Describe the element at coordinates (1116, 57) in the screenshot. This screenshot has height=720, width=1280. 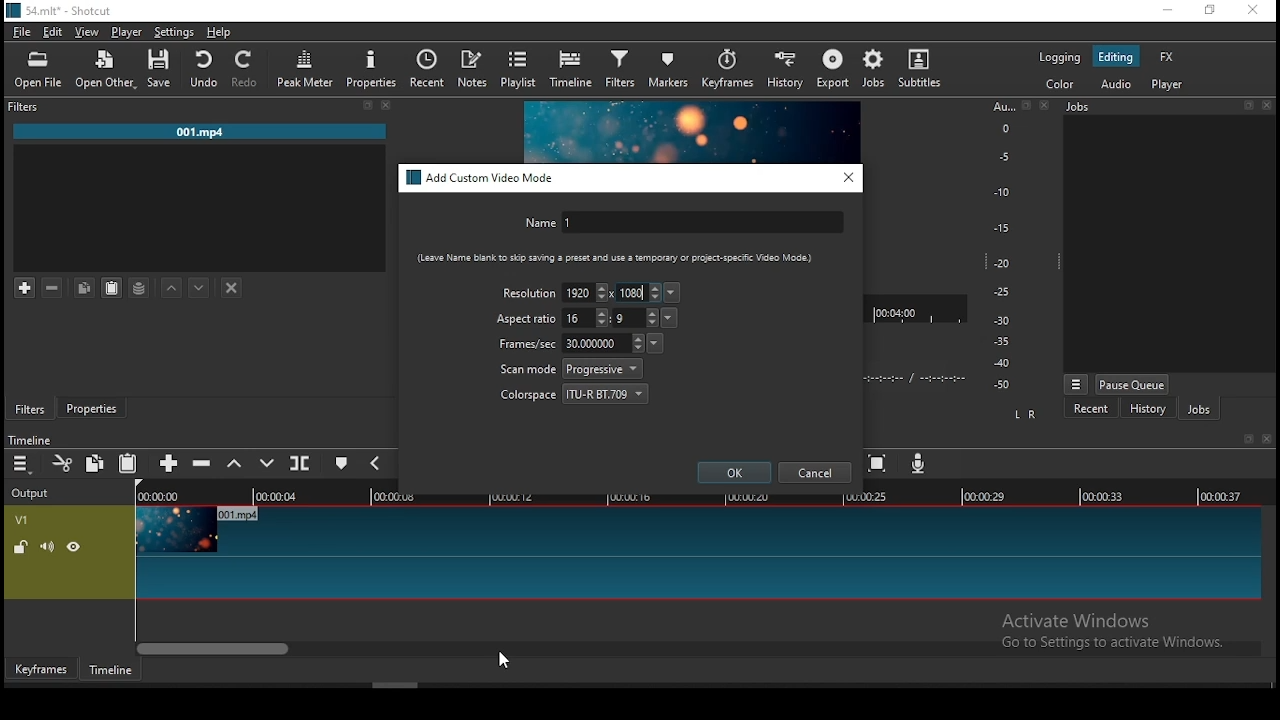
I see `editing` at that location.